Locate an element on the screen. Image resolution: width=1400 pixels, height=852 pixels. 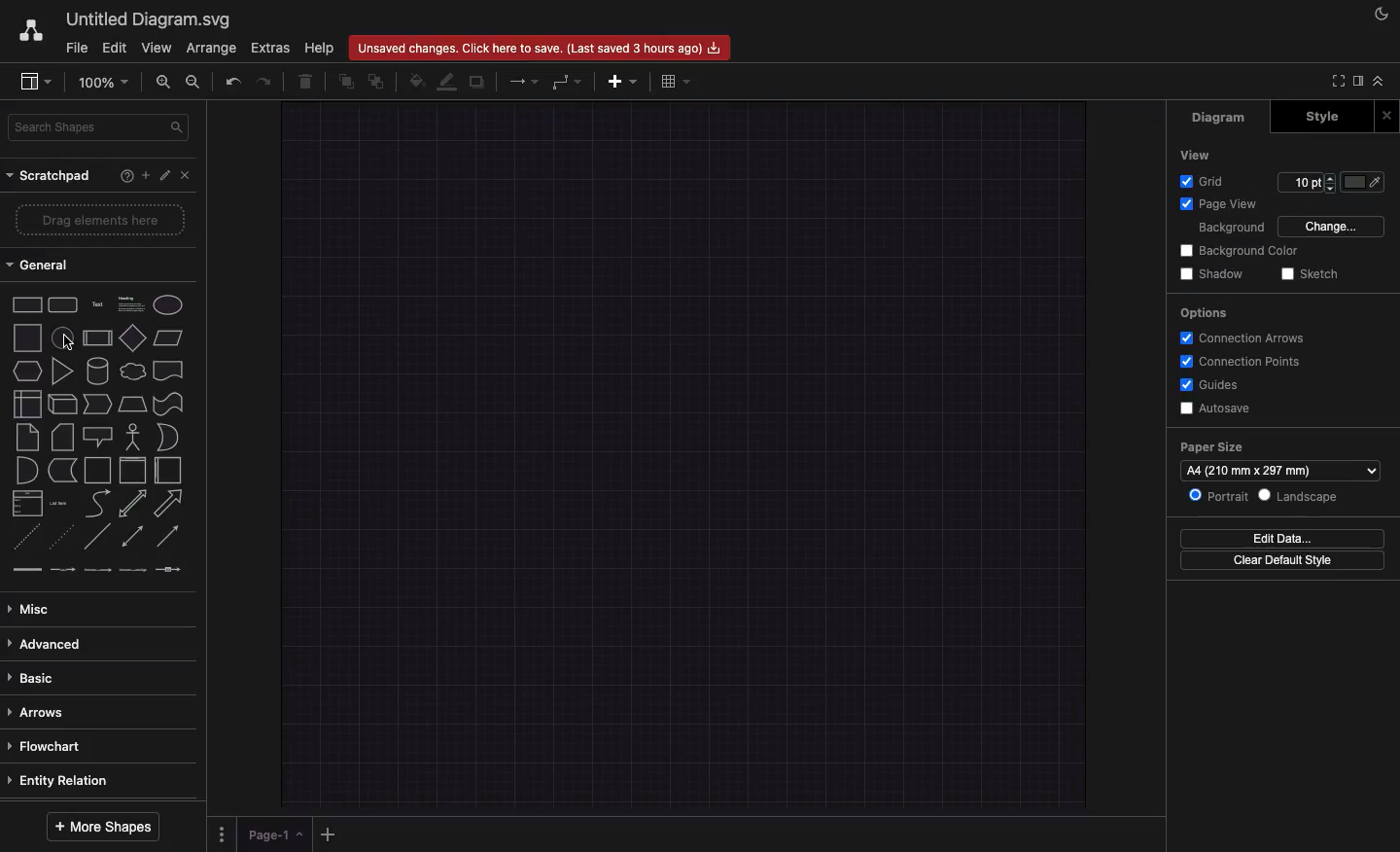
Drag elements here is located at coordinates (99, 219).